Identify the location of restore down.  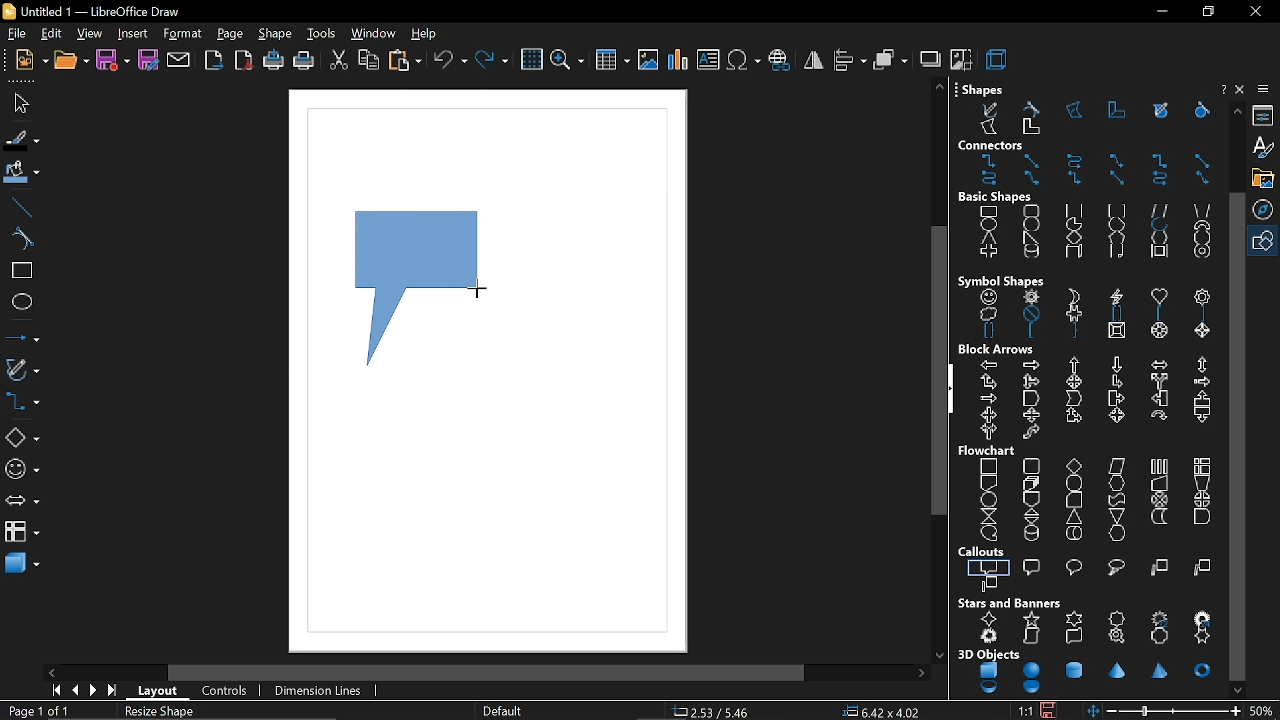
(1206, 12).